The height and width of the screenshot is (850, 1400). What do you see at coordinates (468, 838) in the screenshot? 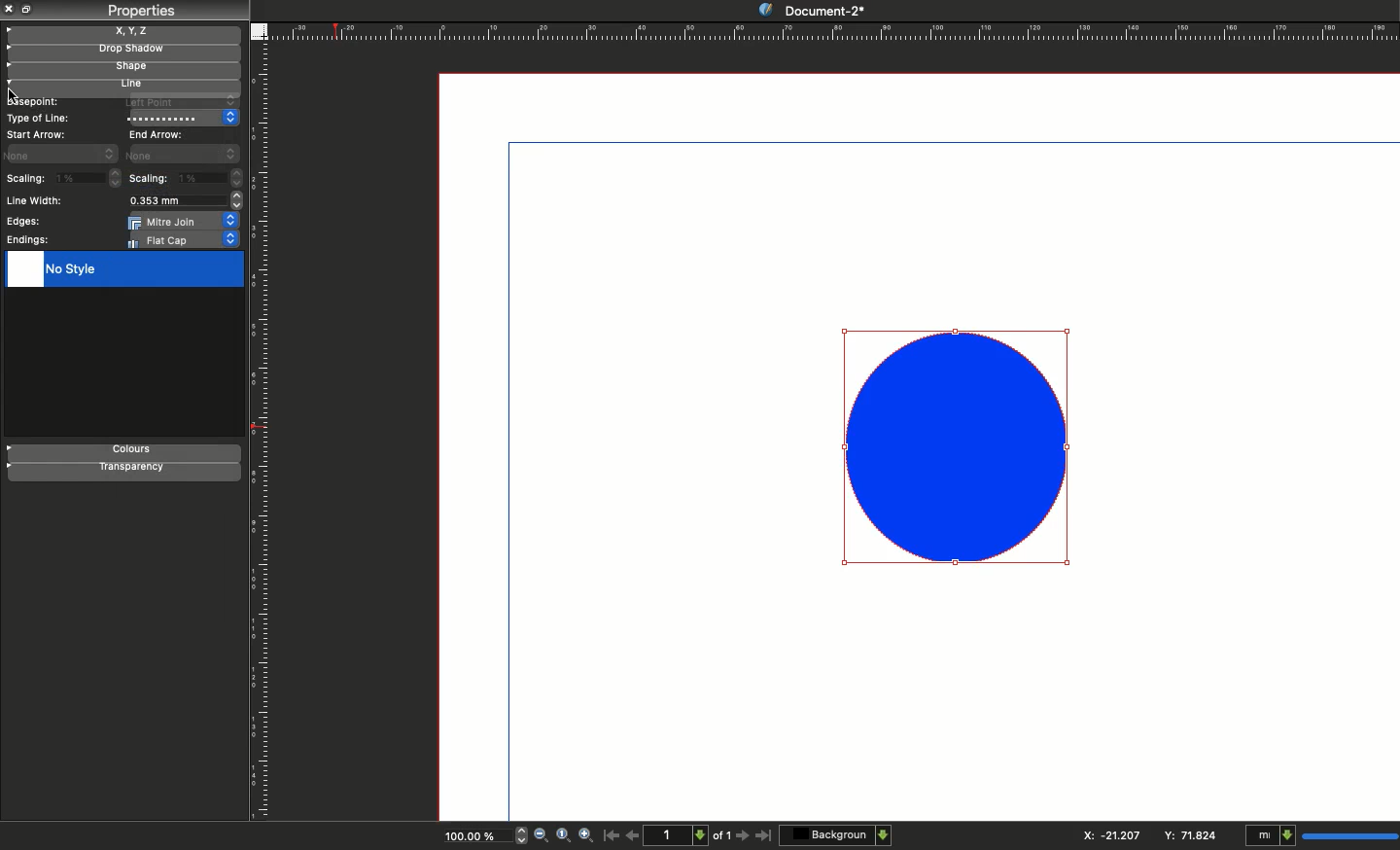
I see `100.00%` at bounding box center [468, 838].